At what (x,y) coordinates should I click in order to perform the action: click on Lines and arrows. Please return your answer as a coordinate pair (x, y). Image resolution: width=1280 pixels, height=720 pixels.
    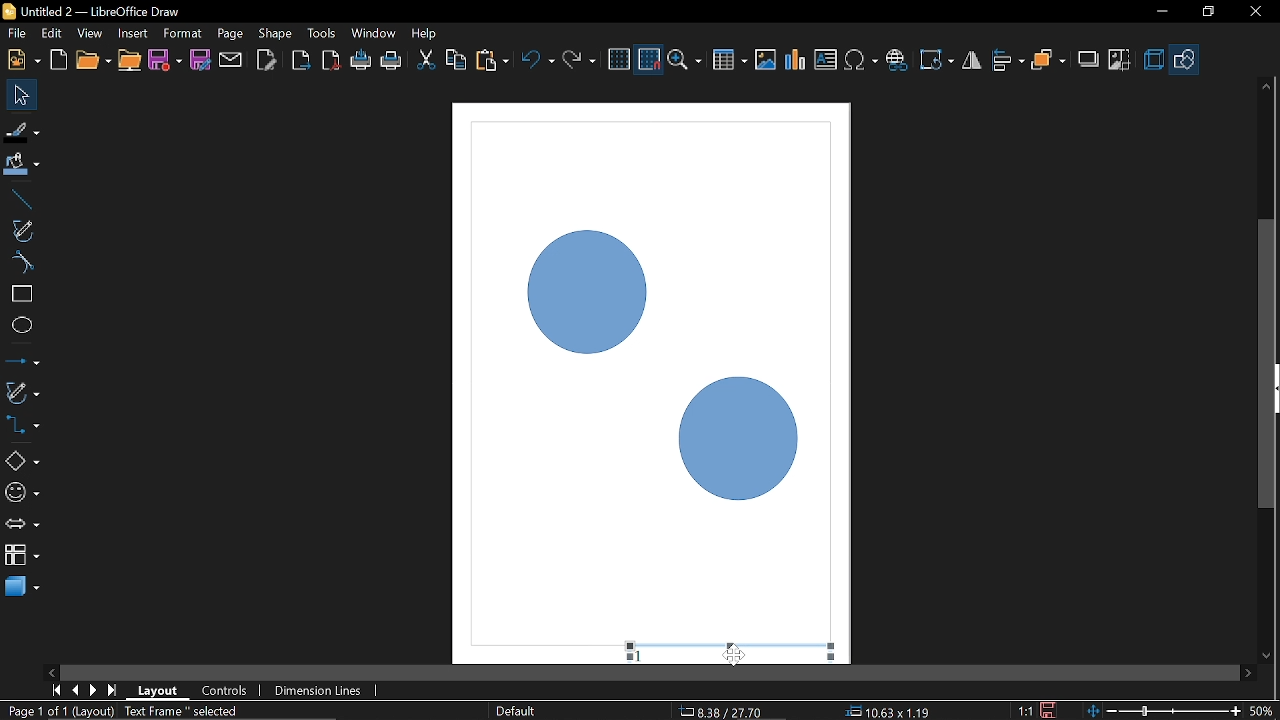
    Looking at the image, I should click on (22, 363).